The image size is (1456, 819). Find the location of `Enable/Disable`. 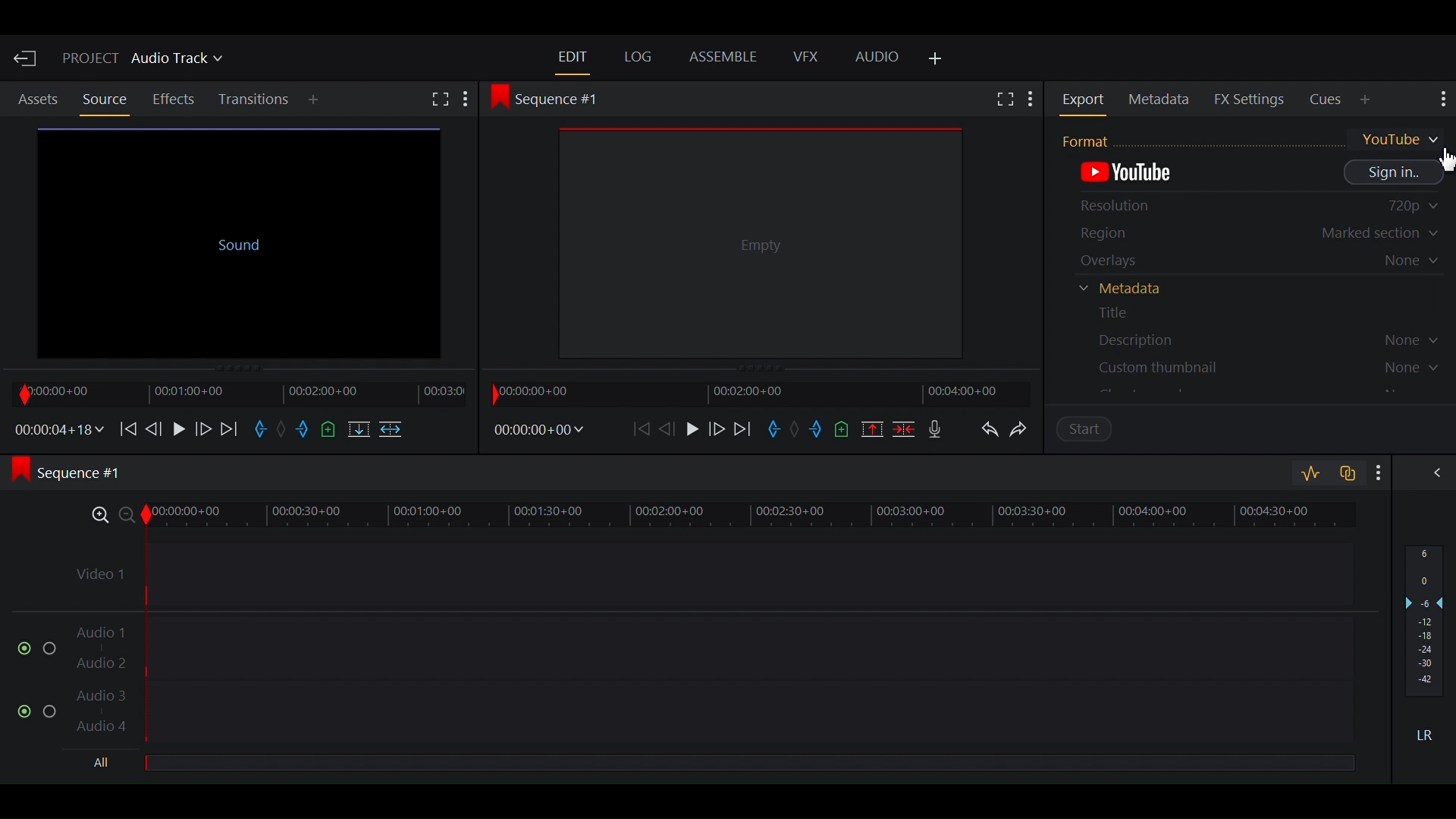

Enable/Disable is located at coordinates (38, 708).